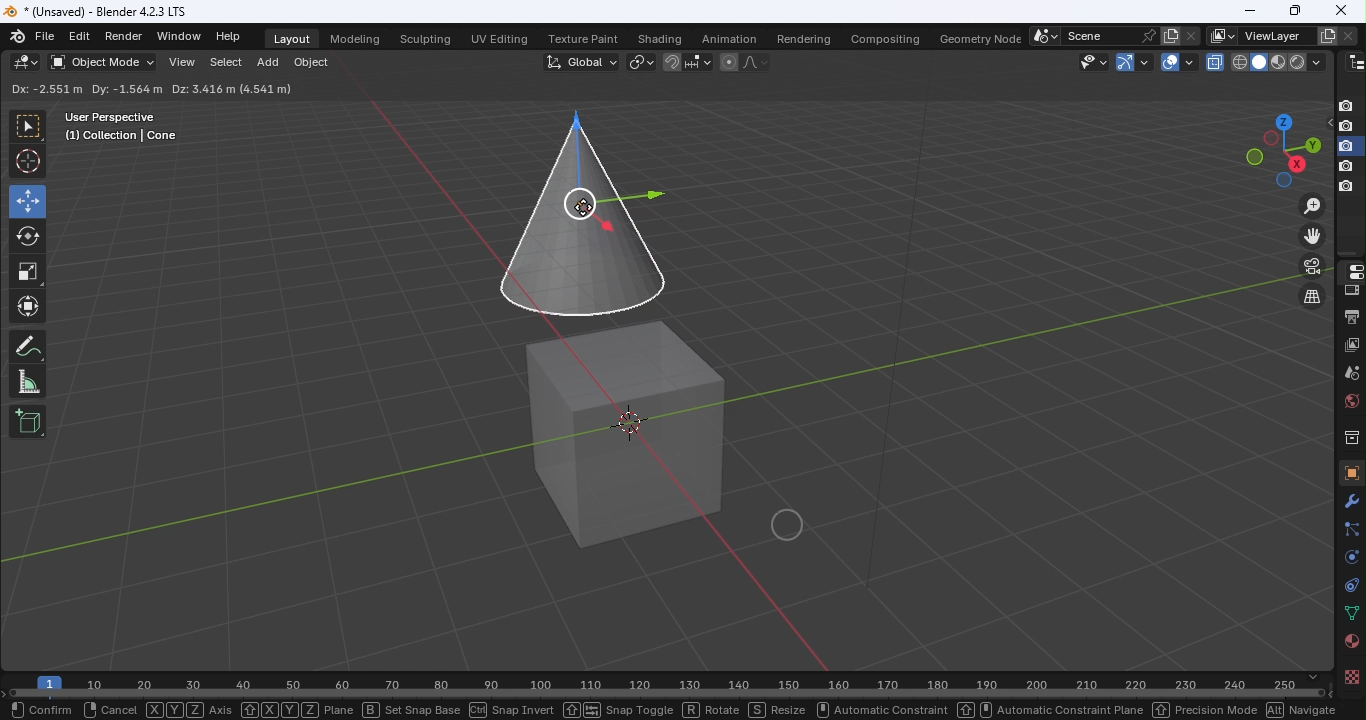  Describe the element at coordinates (1281, 120) in the screenshot. I see `Rotate the view` at that location.